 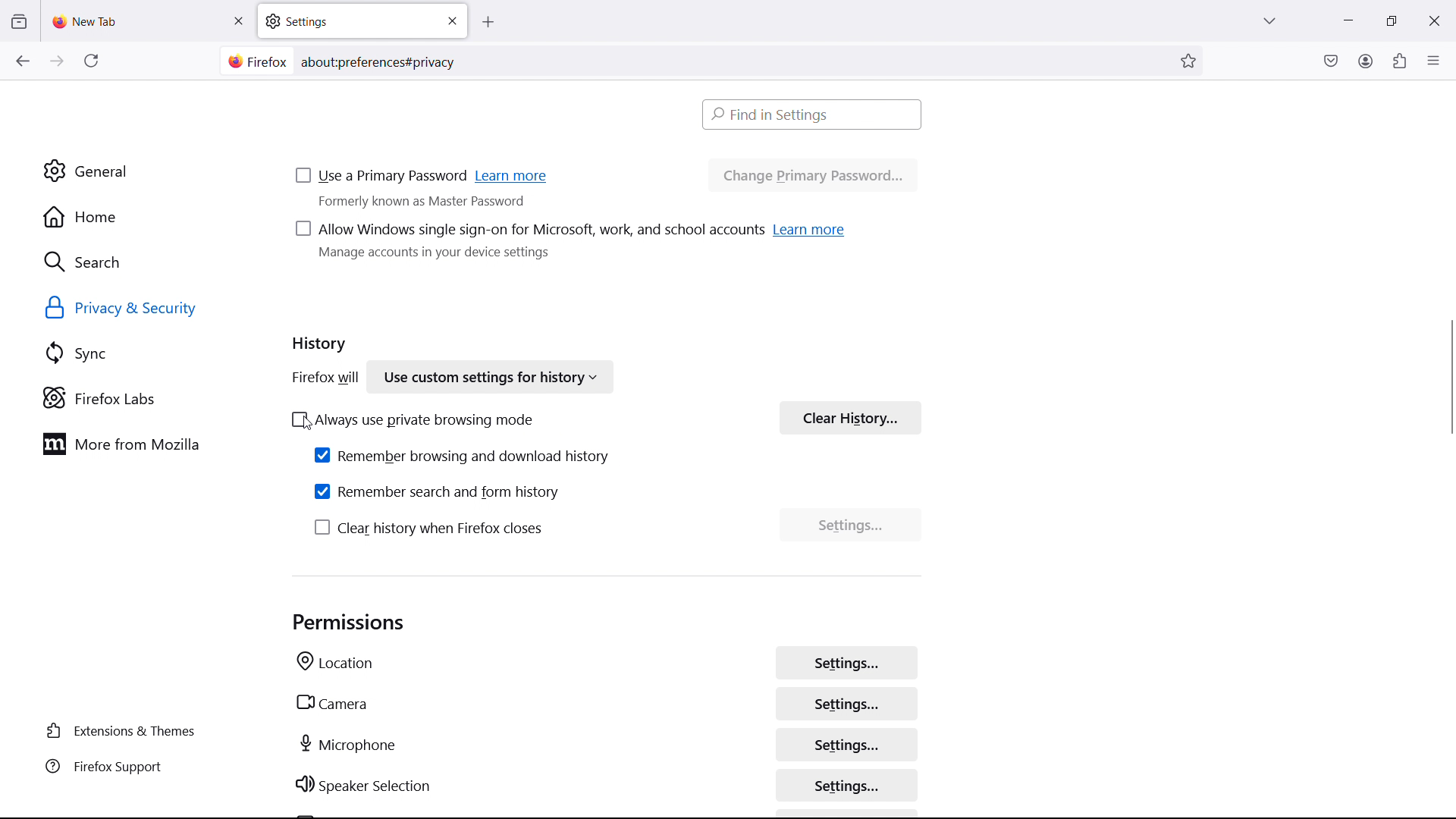 What do you see at coordinates (439, 259) in the screenshot?
I see `Manage accounts in your device settings` at bounding box center [439, 259].